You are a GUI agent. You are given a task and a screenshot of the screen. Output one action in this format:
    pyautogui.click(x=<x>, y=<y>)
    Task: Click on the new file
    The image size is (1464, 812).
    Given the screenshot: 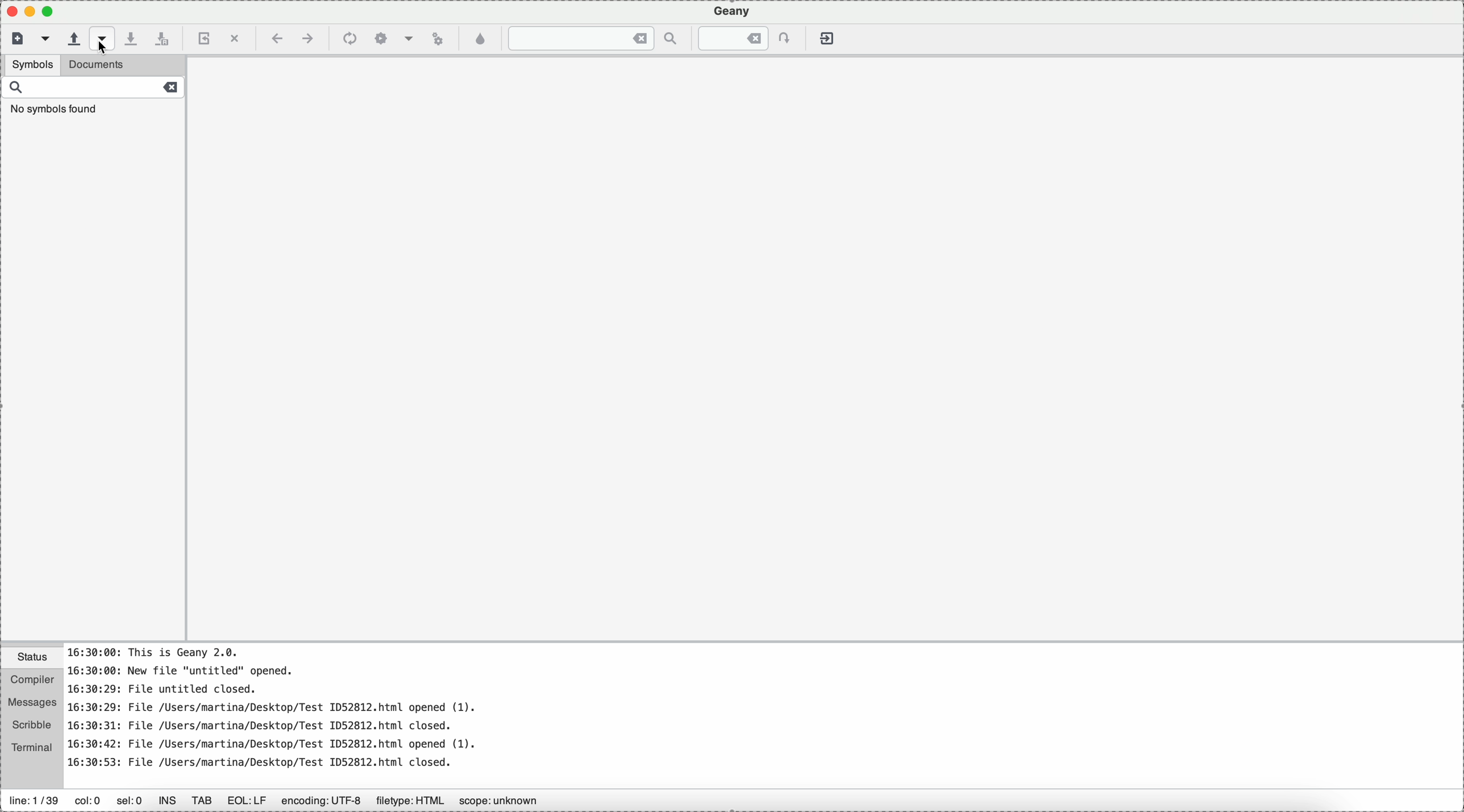 What is the action you would take?
    pyautogui.click(x=15, y=39)
    